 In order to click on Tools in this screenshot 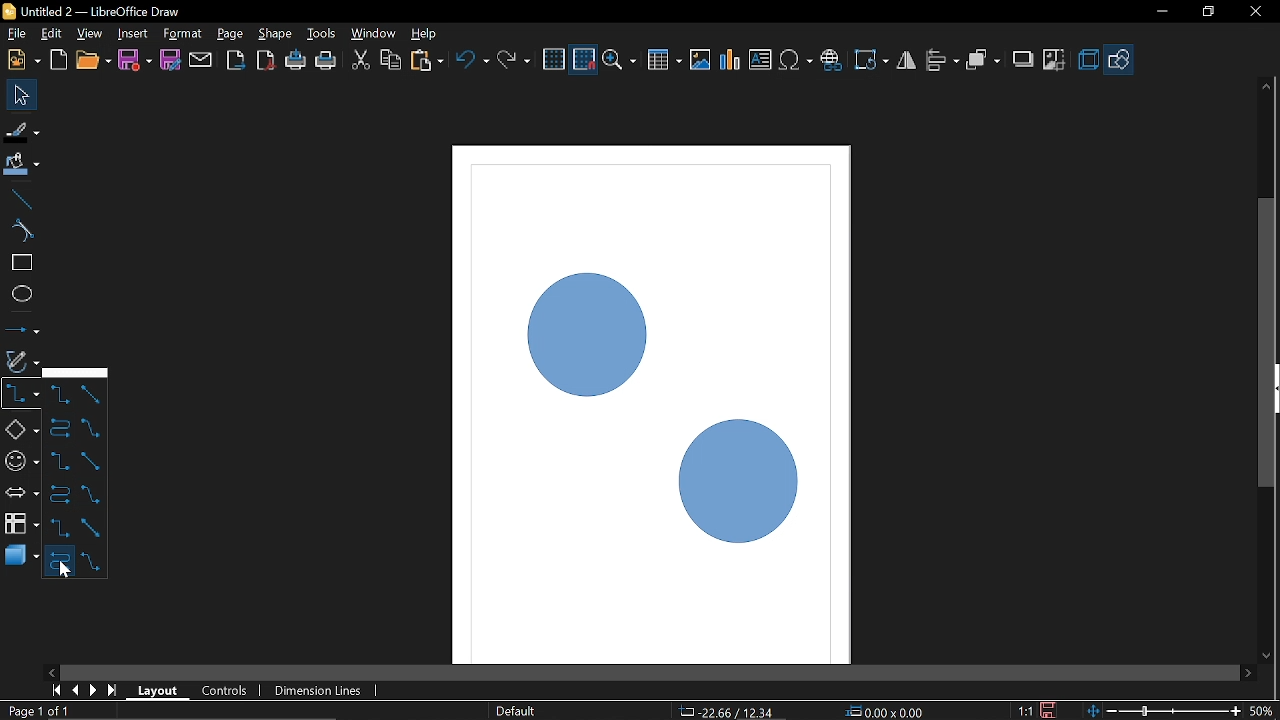, I will do `click(323, 35)`.